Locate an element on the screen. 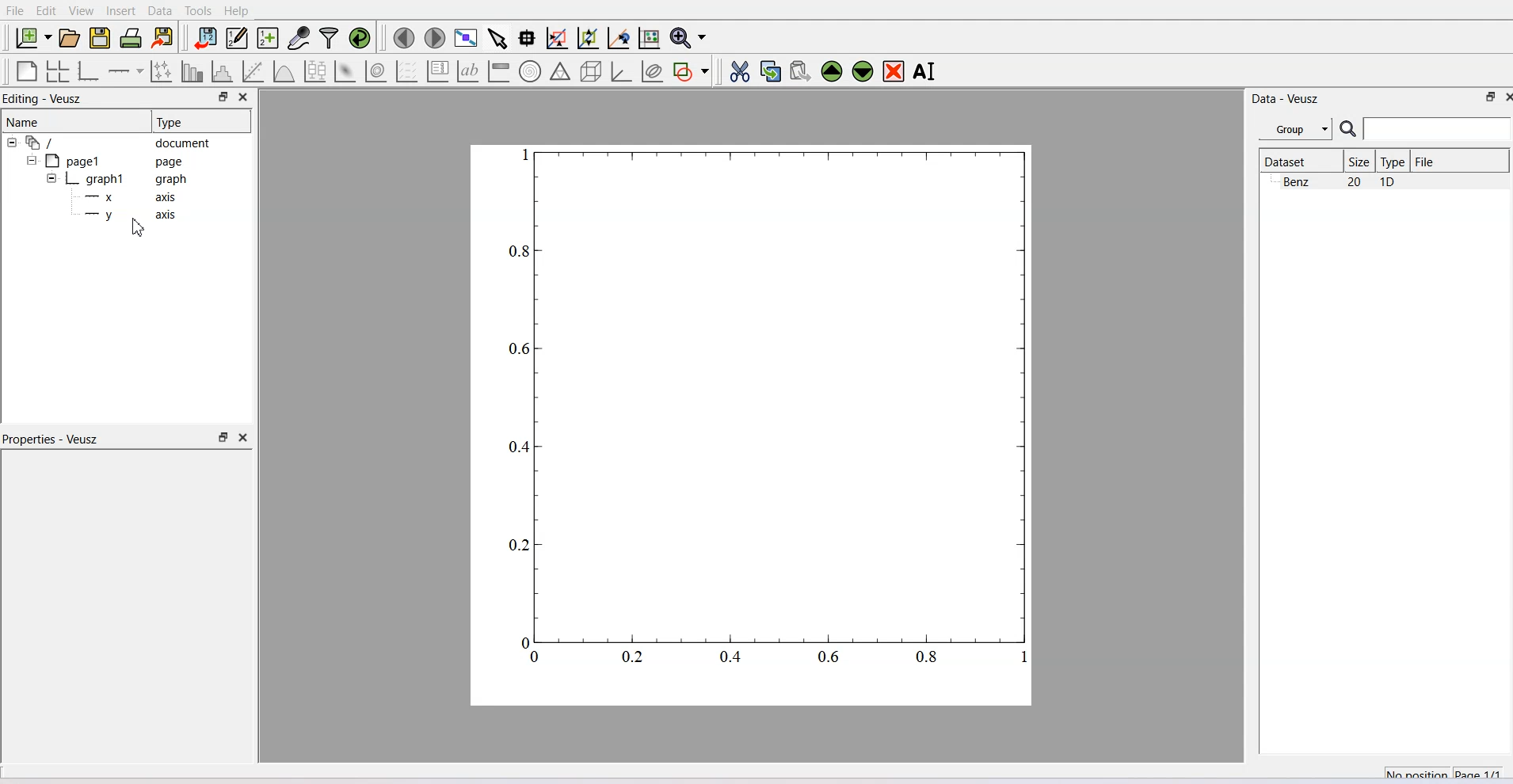 Image resolution: width=1513 pixels, height=784 pixels. Name is located at coordinates (74, 121).